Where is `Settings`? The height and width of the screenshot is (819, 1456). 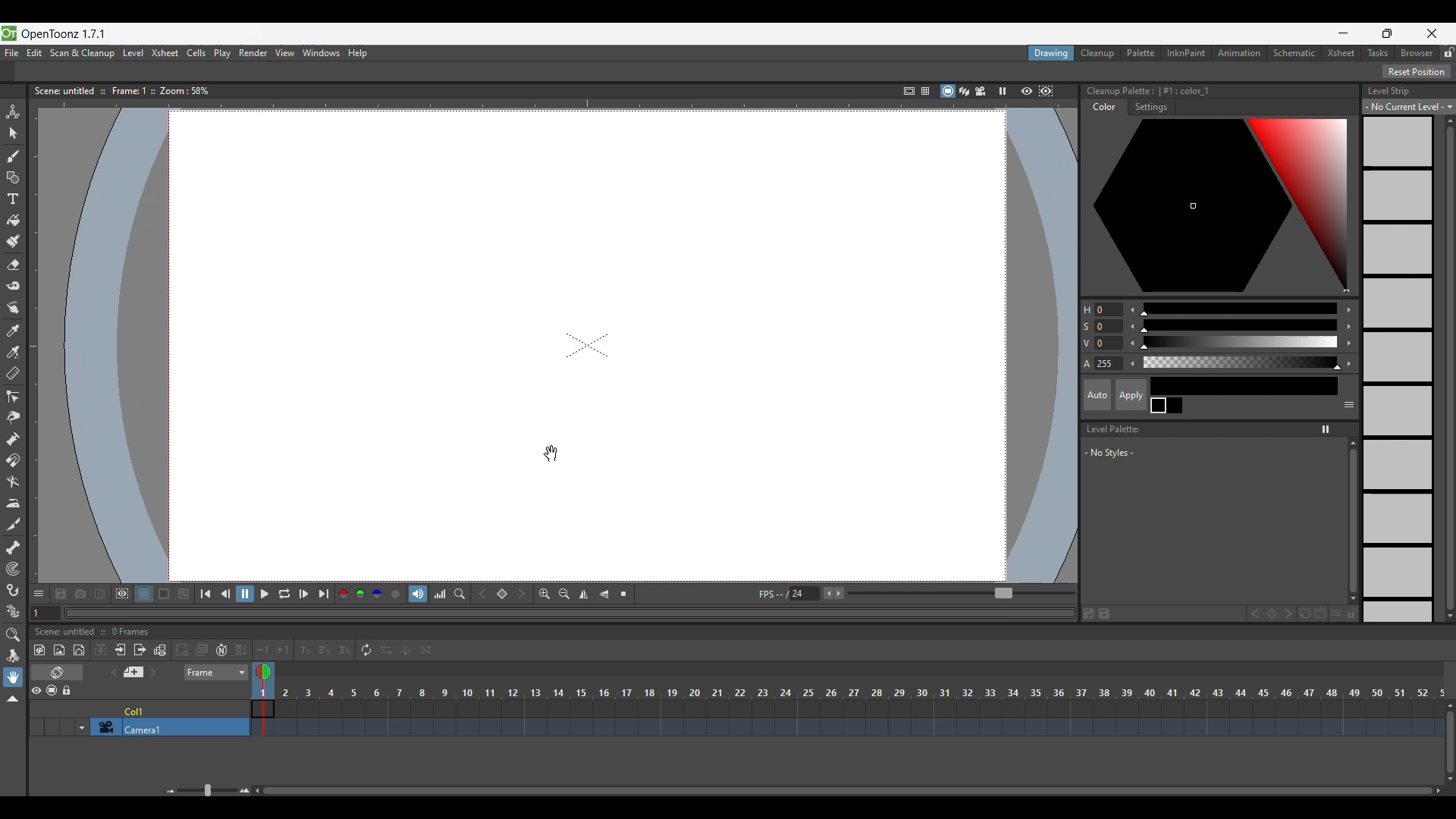
Settings is located at coordinates (1151, 106).